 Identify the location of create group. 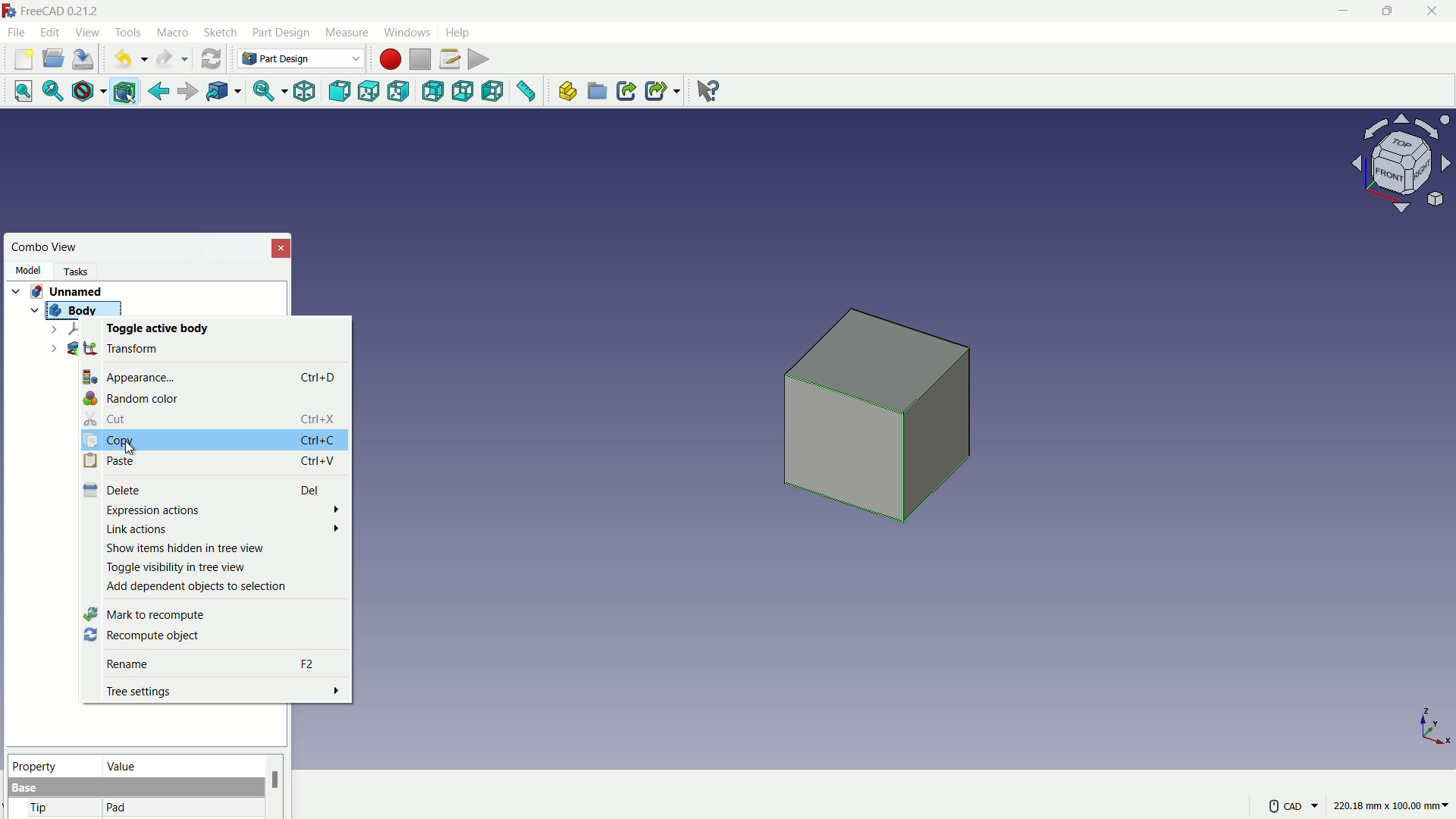
(598, 93).